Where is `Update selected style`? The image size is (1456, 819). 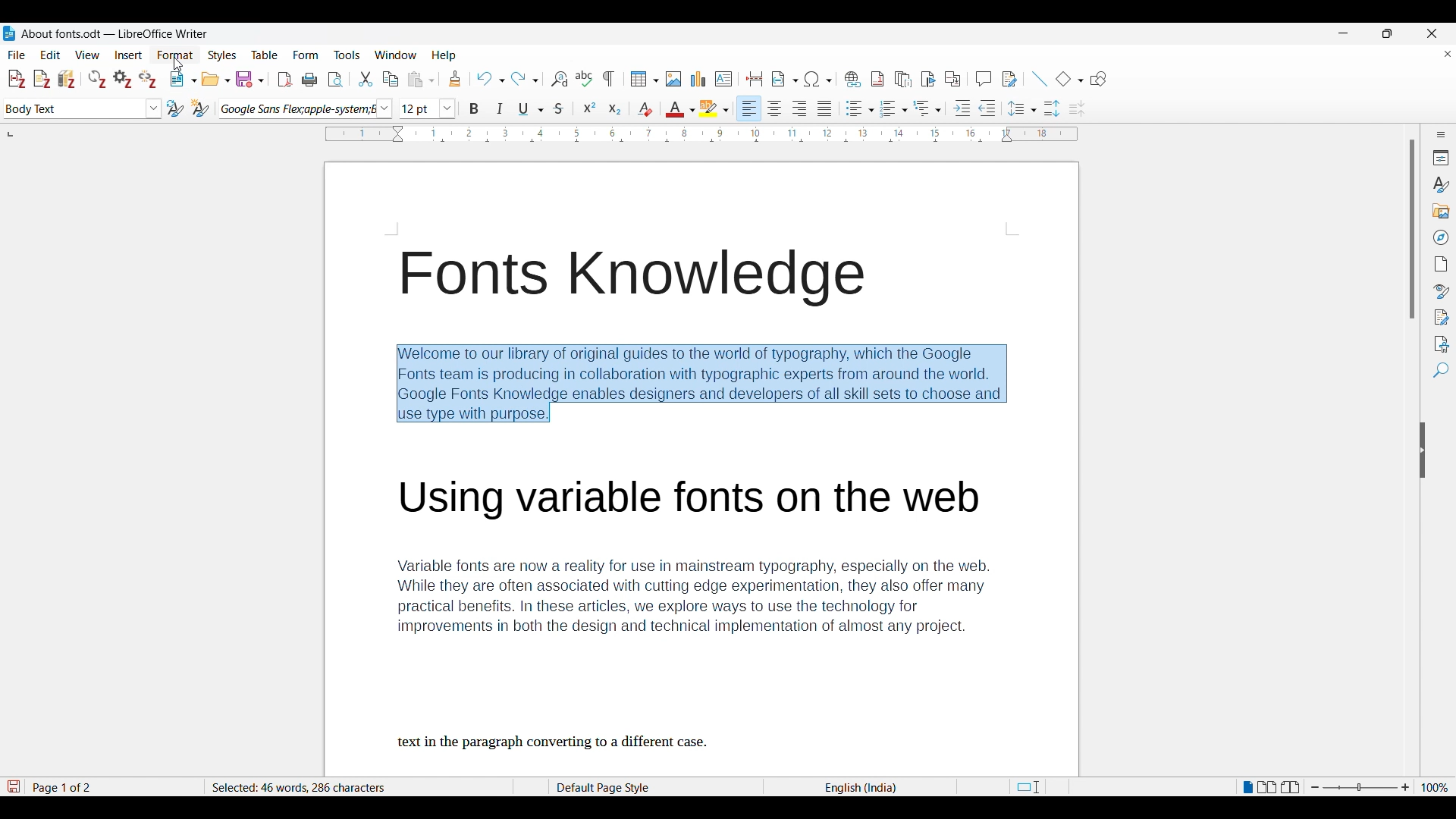
Update selected style is located at coordinates (175, 108).